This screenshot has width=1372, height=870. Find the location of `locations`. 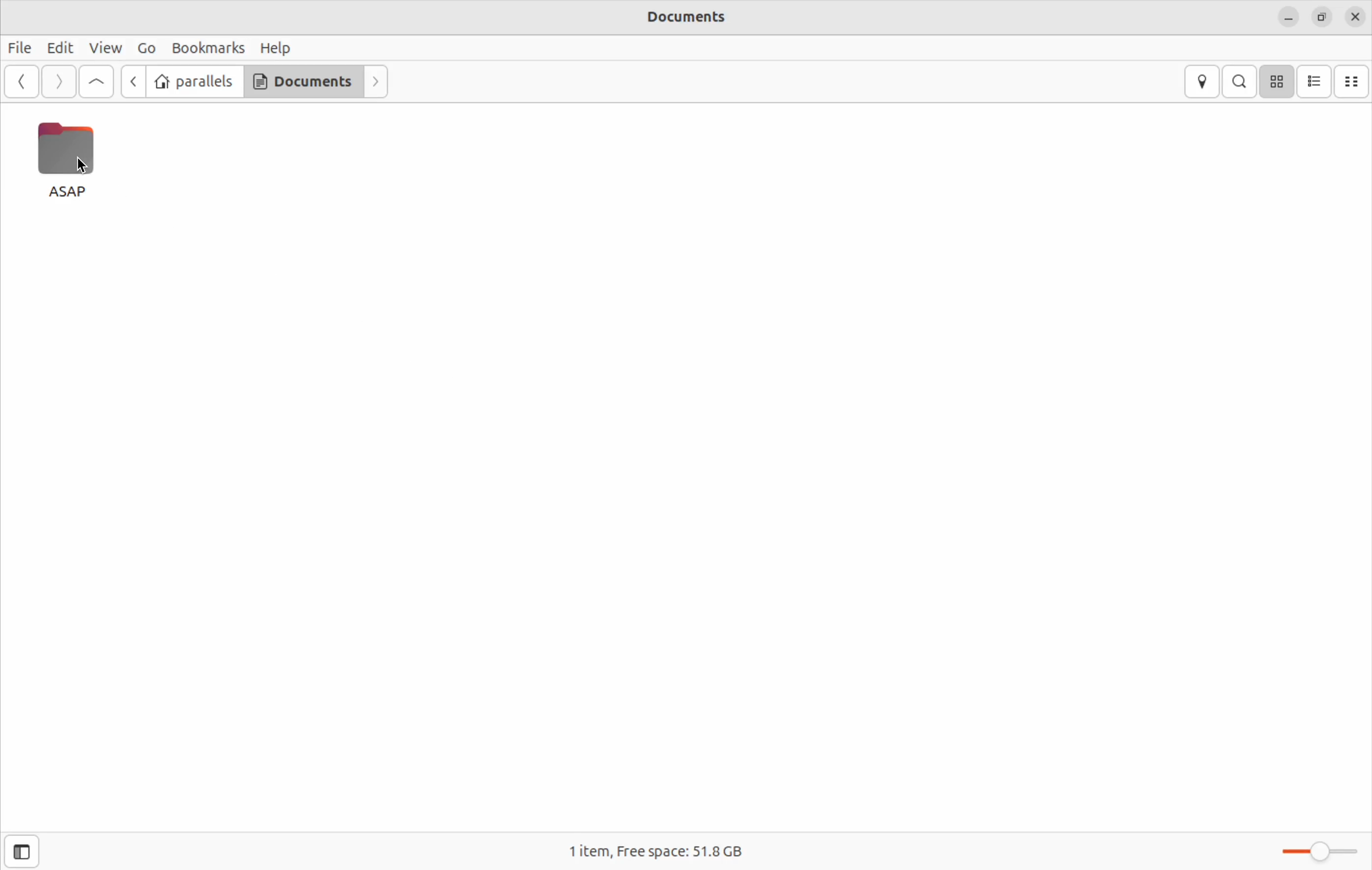

locations is located at coordinates (1201, 81).